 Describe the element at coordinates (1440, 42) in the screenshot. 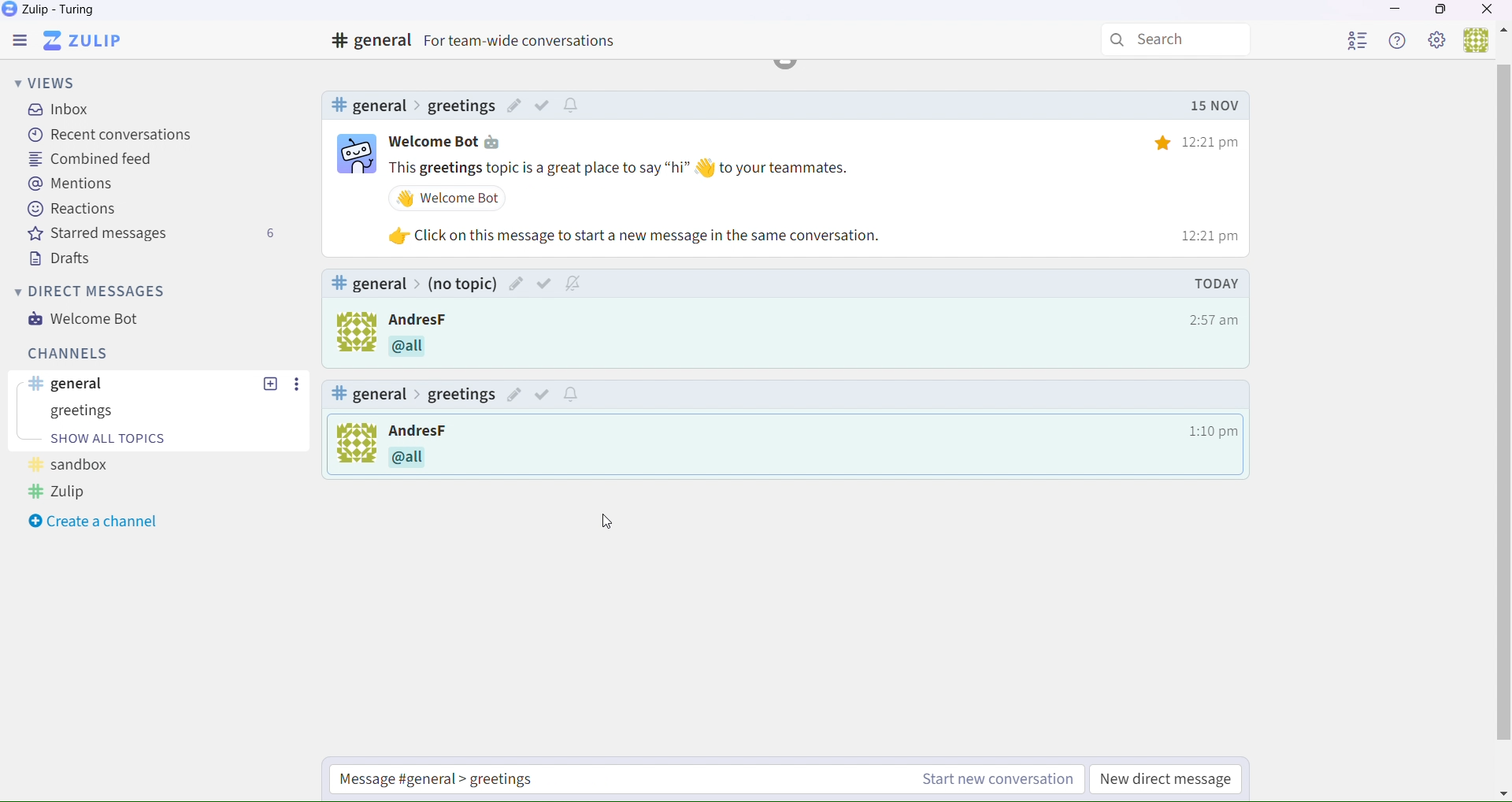

I see `Settings` at that location.